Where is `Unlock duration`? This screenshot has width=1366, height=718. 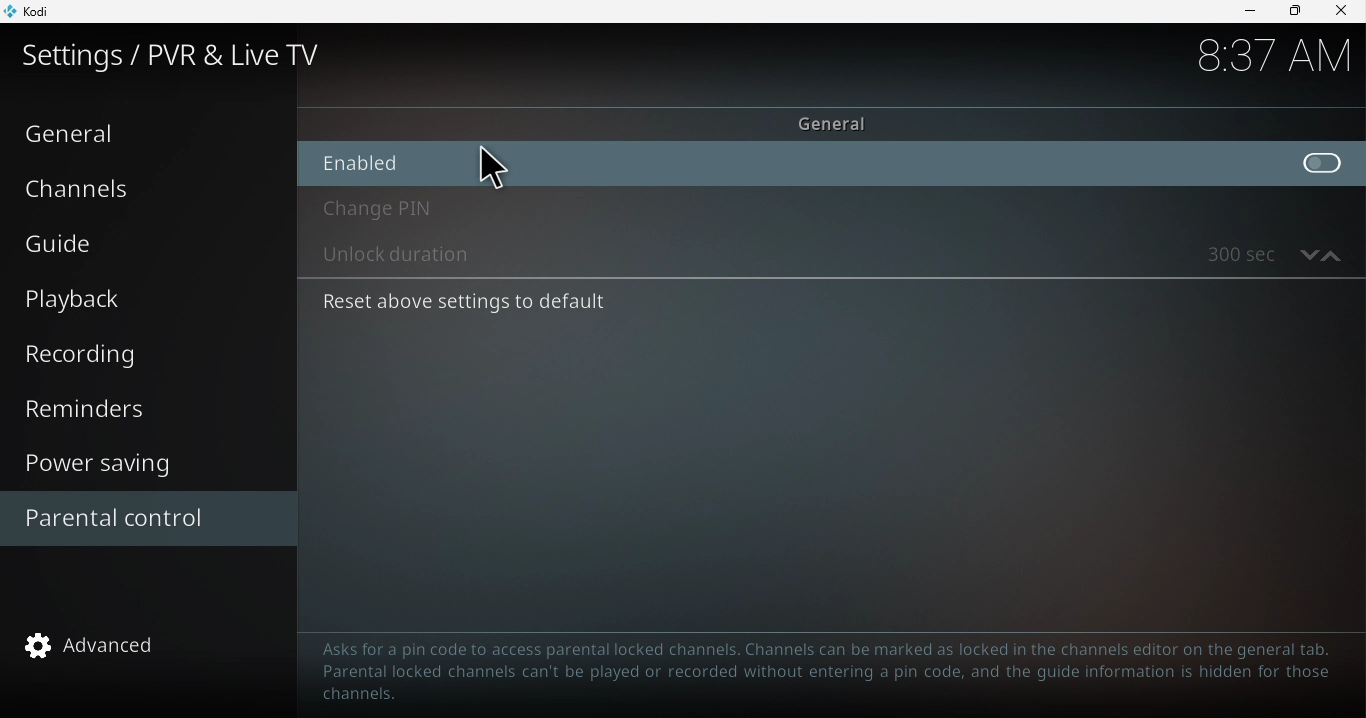
Unlock duration is located at coordinates (790, 259).